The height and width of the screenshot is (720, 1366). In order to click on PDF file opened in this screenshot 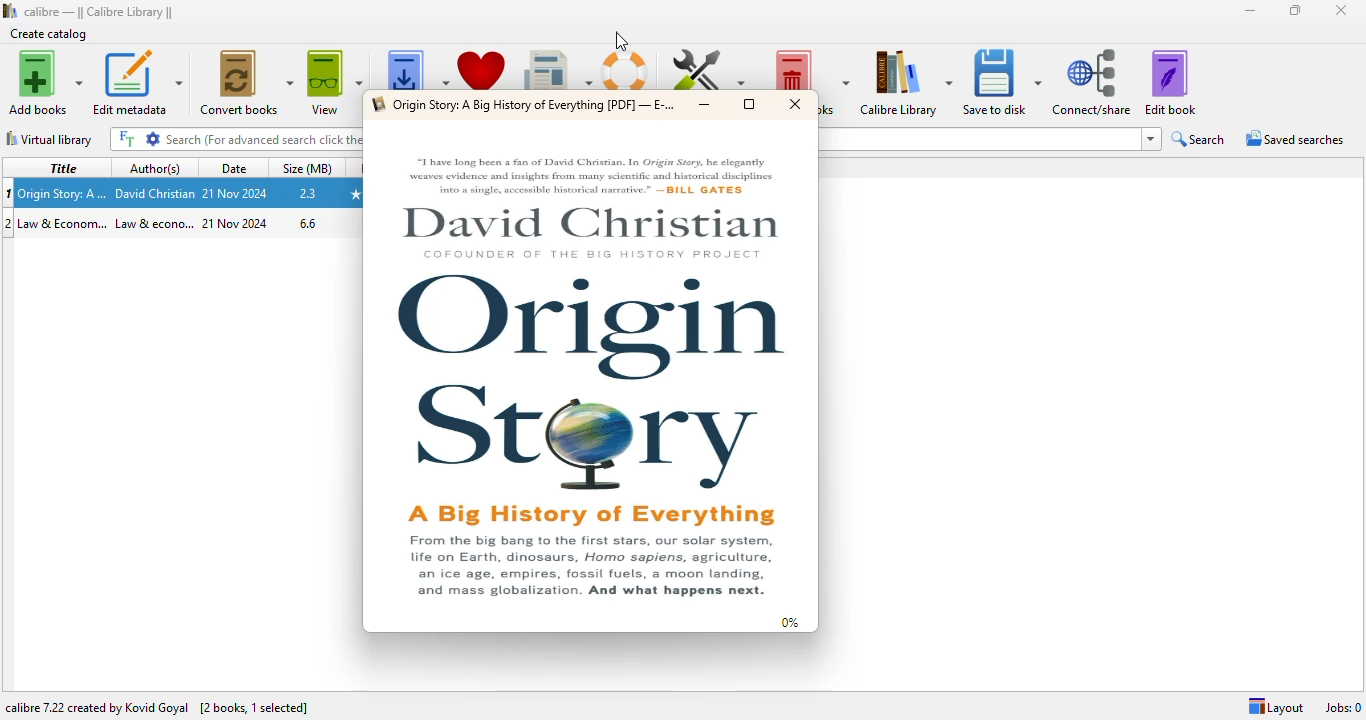, I will do `click(535, 105)`.